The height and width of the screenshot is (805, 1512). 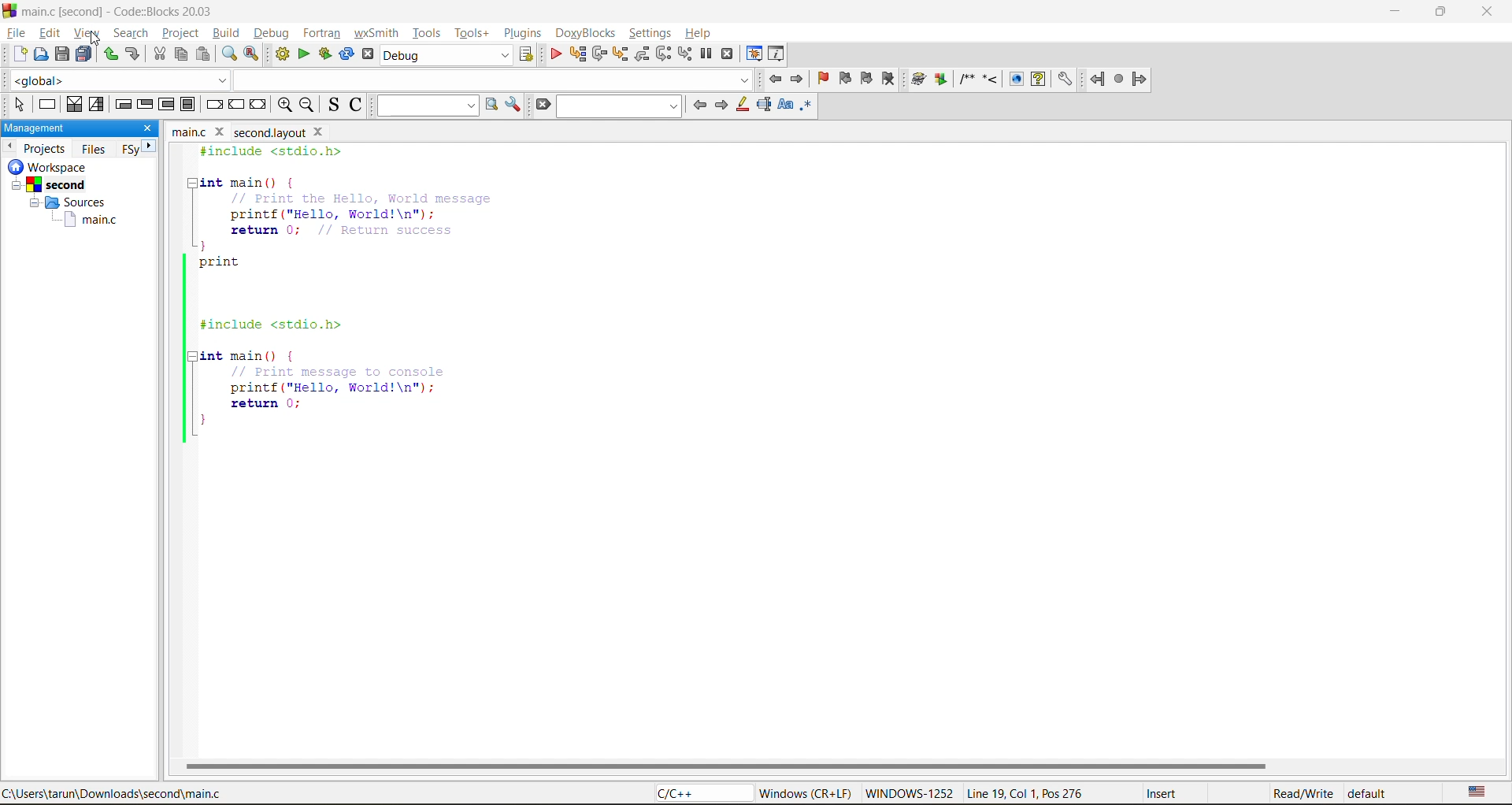 I want to click on doxyblocks, so click(x=584, y=31).